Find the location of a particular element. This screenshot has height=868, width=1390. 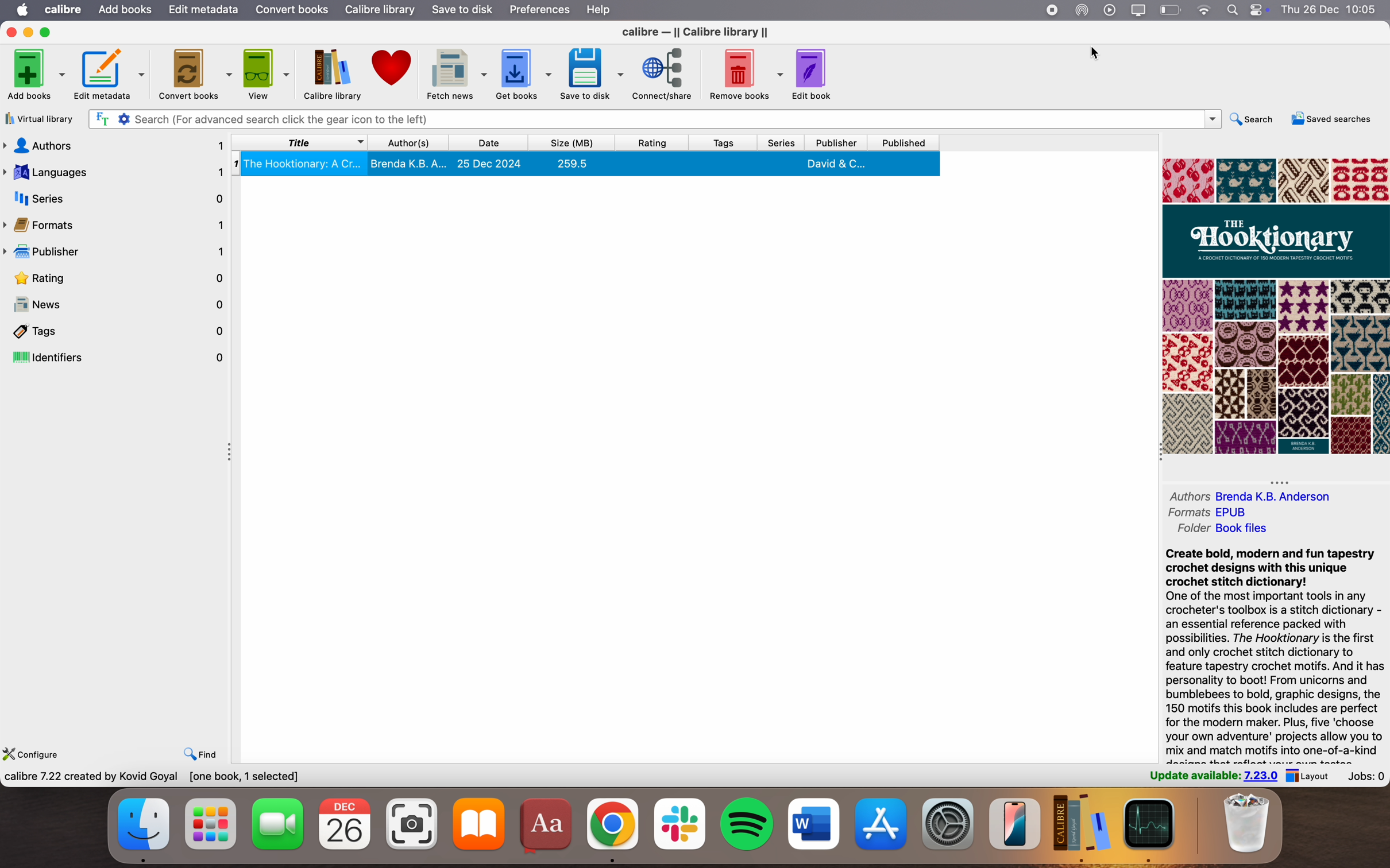

identifiers is located at coordinates (119, 356).